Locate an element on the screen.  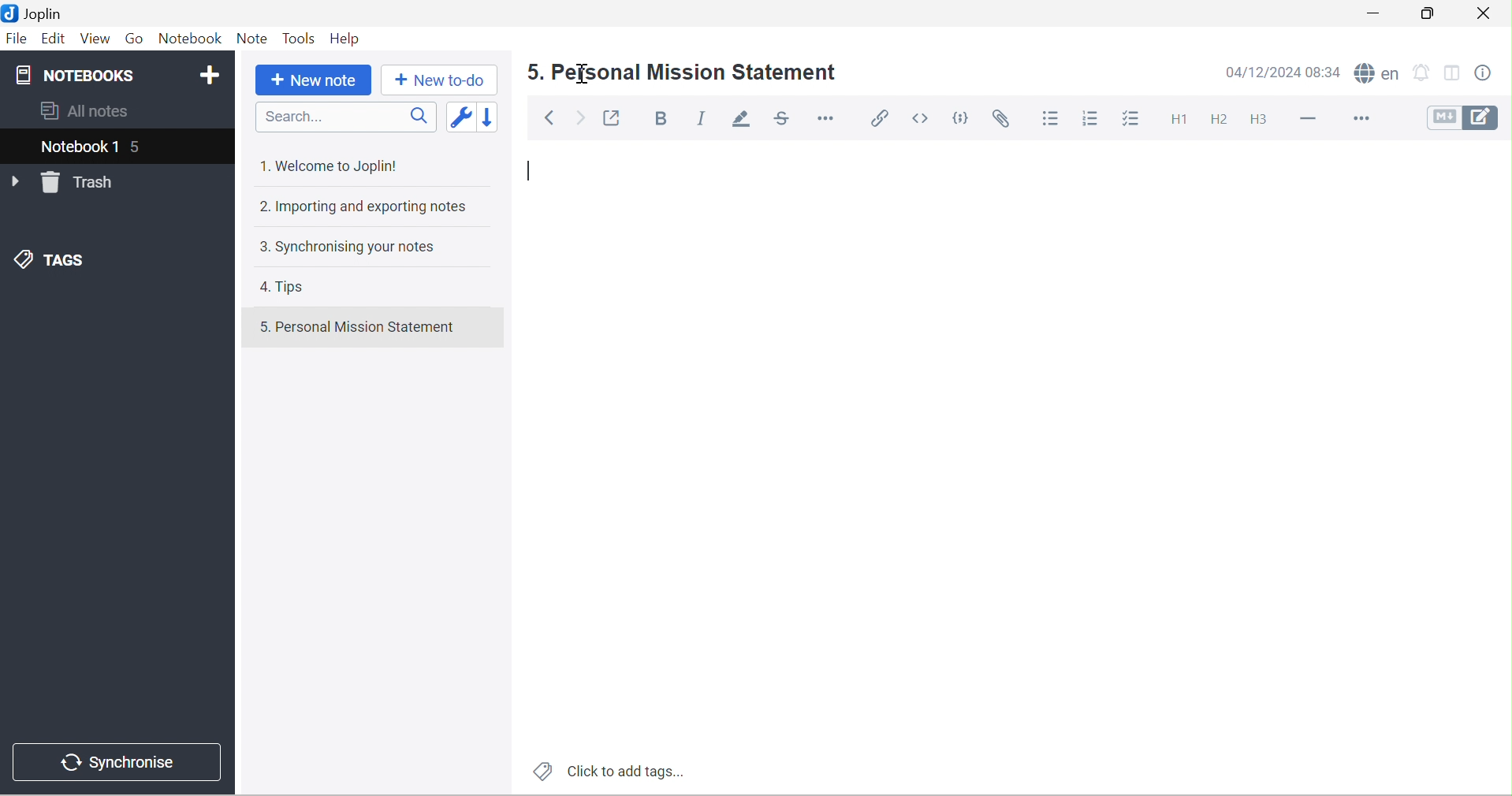
5. Personal Mission Statement is located at coordinates (359, 326).